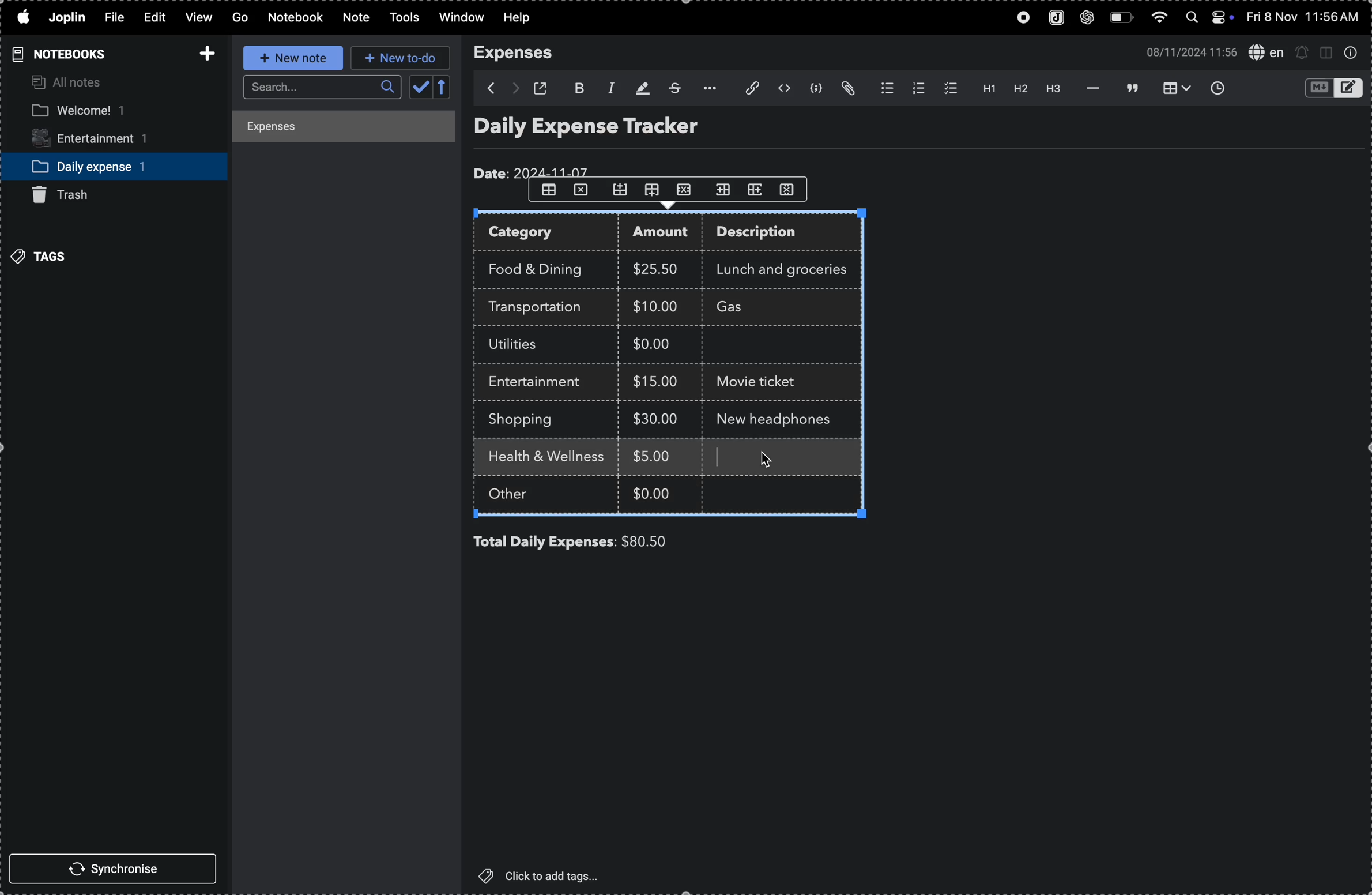  I want to click on utilites, so click(524, 345).